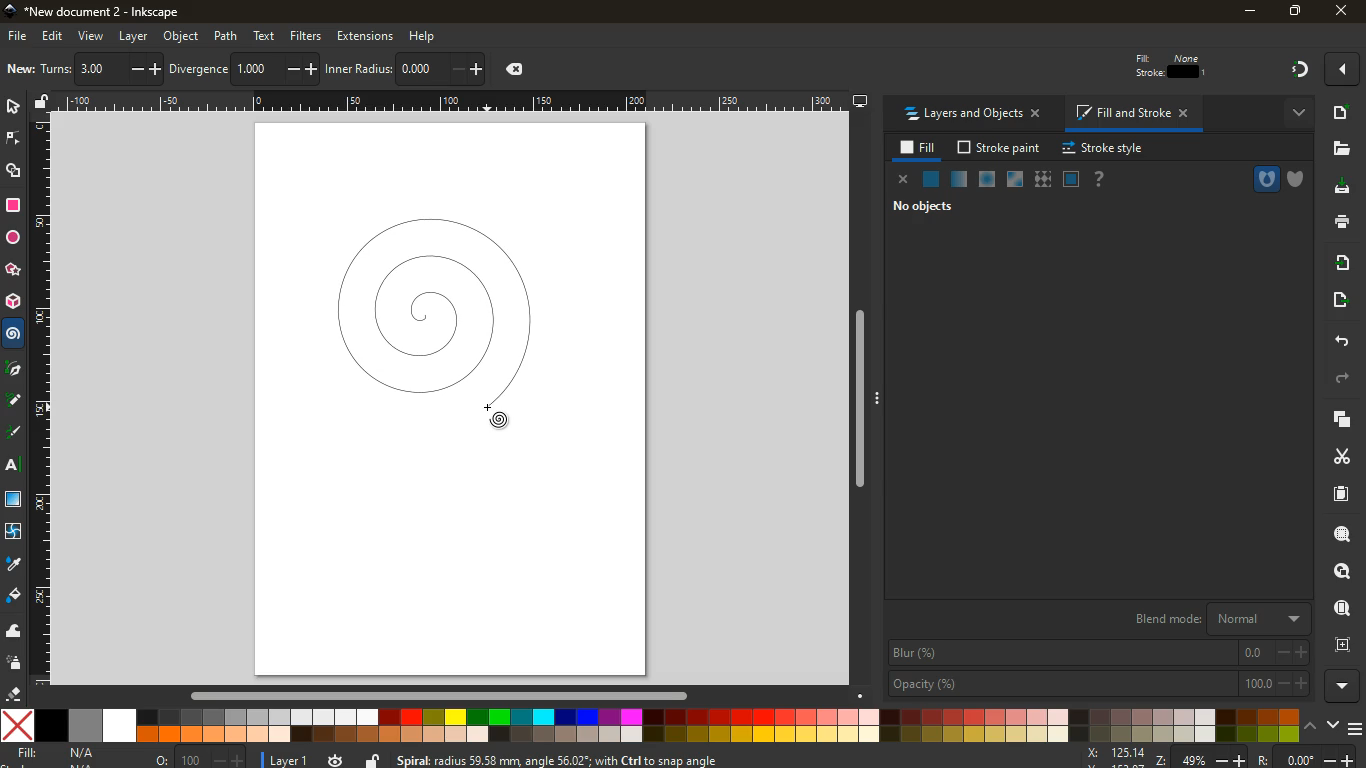 This screenshot has height=768, width=1366. Describe the element at coordinates (1131, 114) in the screenshot. I see `fill and stroke` at that location.